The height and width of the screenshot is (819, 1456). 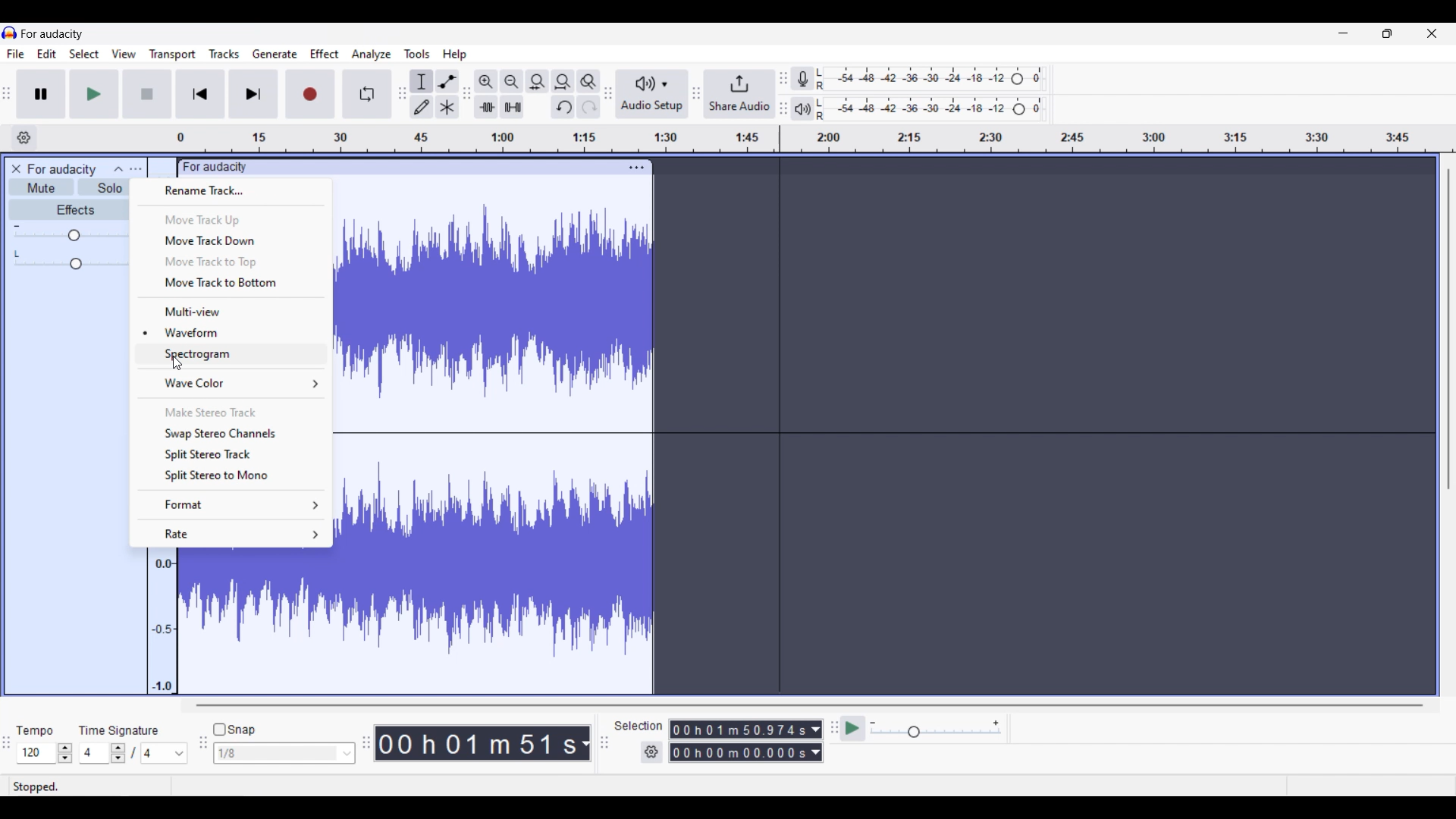 I want to click on Stop, so click(x=147, y=94).